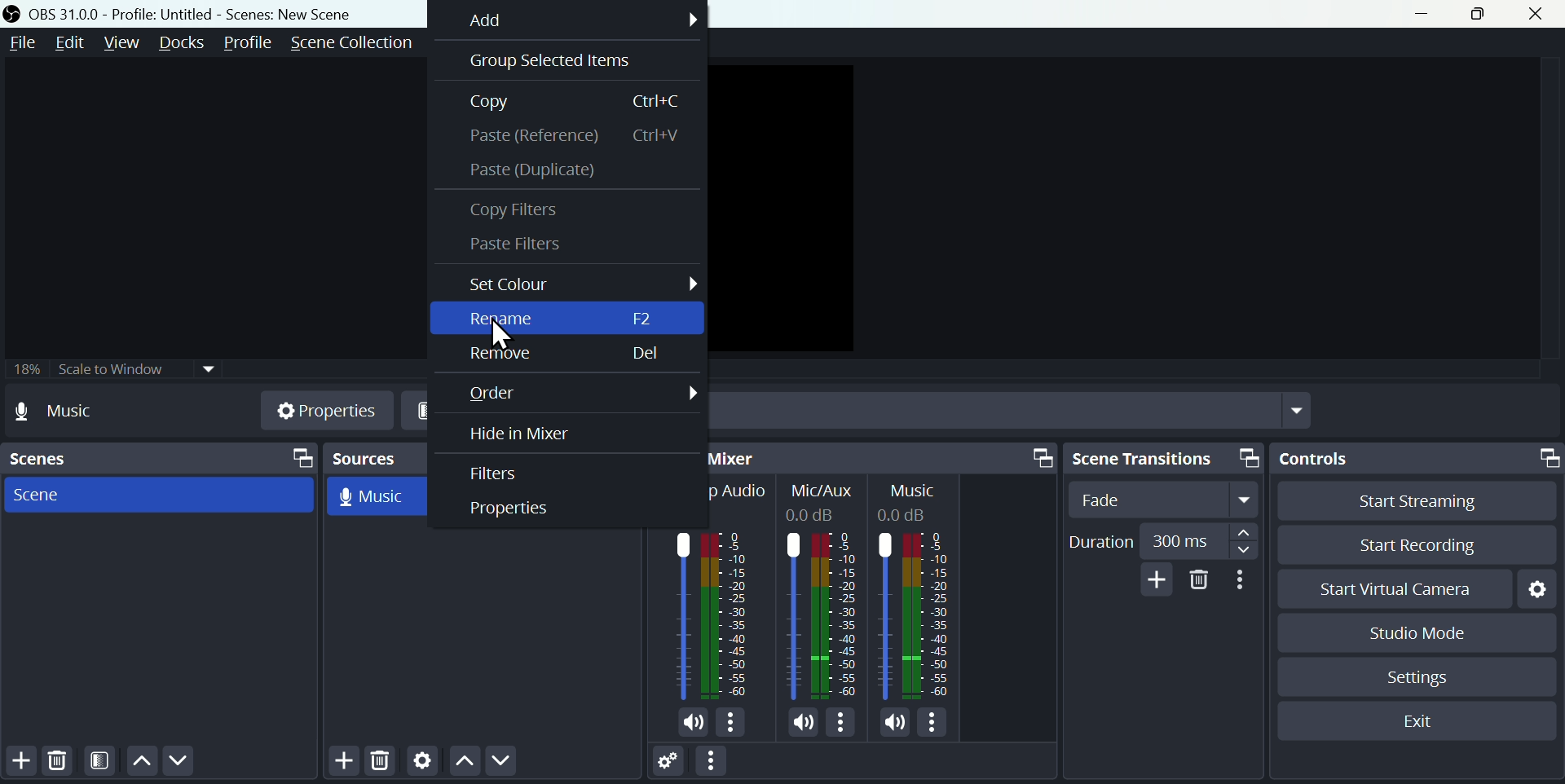  I want to click on maximise, so click(1481, 14).